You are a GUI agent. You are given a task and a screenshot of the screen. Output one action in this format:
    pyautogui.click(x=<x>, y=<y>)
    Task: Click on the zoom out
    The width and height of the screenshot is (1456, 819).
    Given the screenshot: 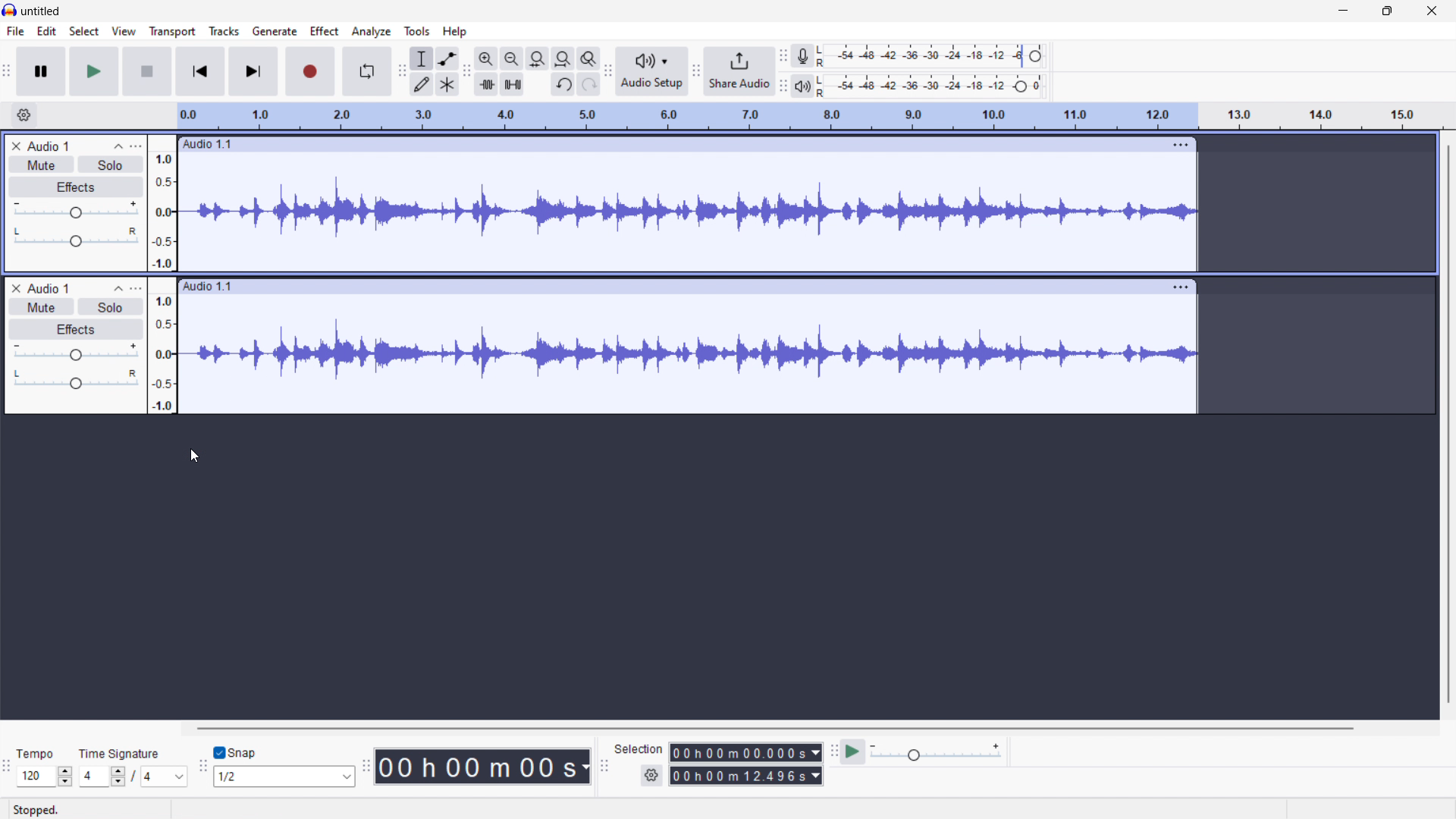 What is the action you would take?
    pyautogui.click(x=512, y=58)
    